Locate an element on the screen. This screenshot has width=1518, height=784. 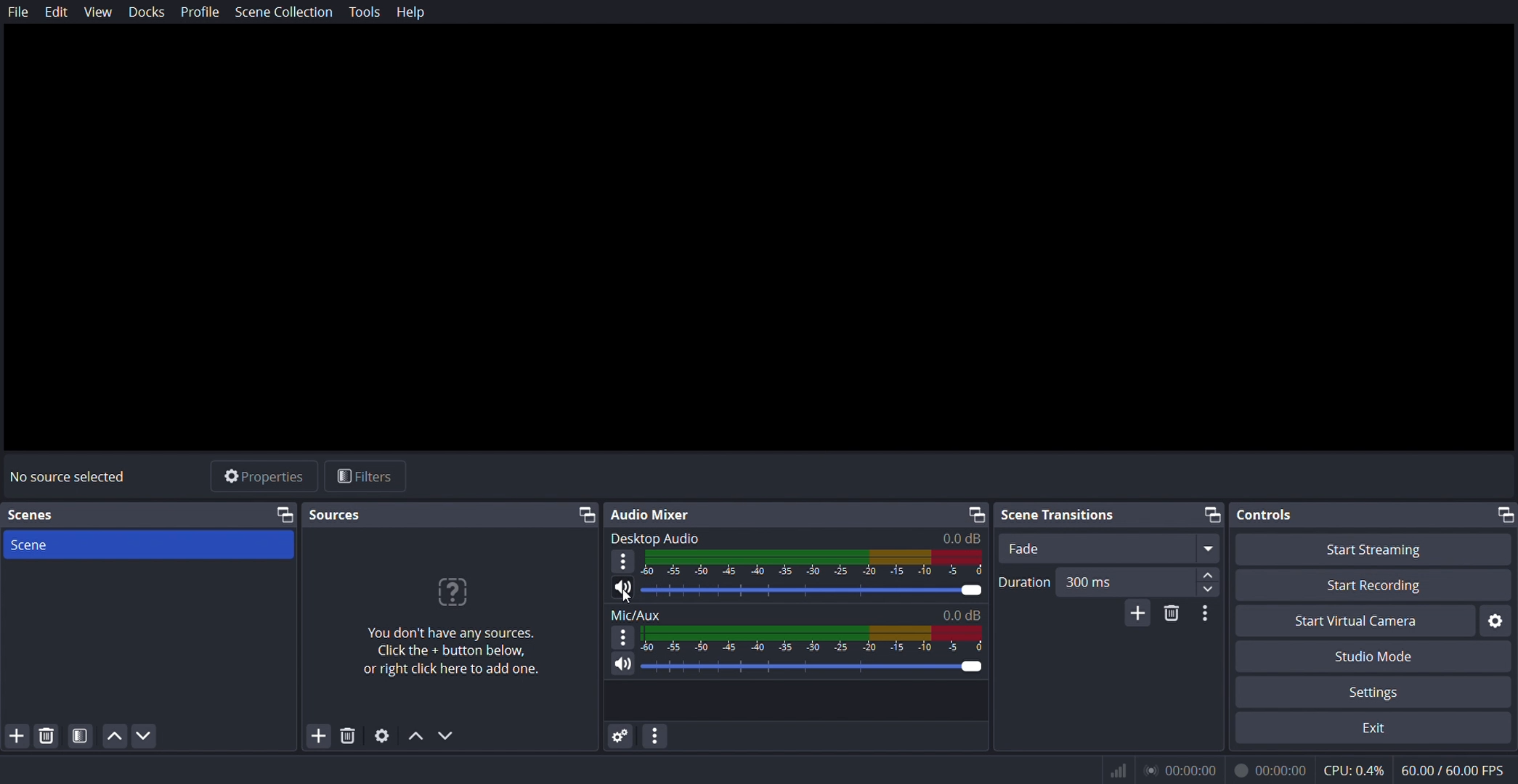
docks is located at coordinates (150, 12).